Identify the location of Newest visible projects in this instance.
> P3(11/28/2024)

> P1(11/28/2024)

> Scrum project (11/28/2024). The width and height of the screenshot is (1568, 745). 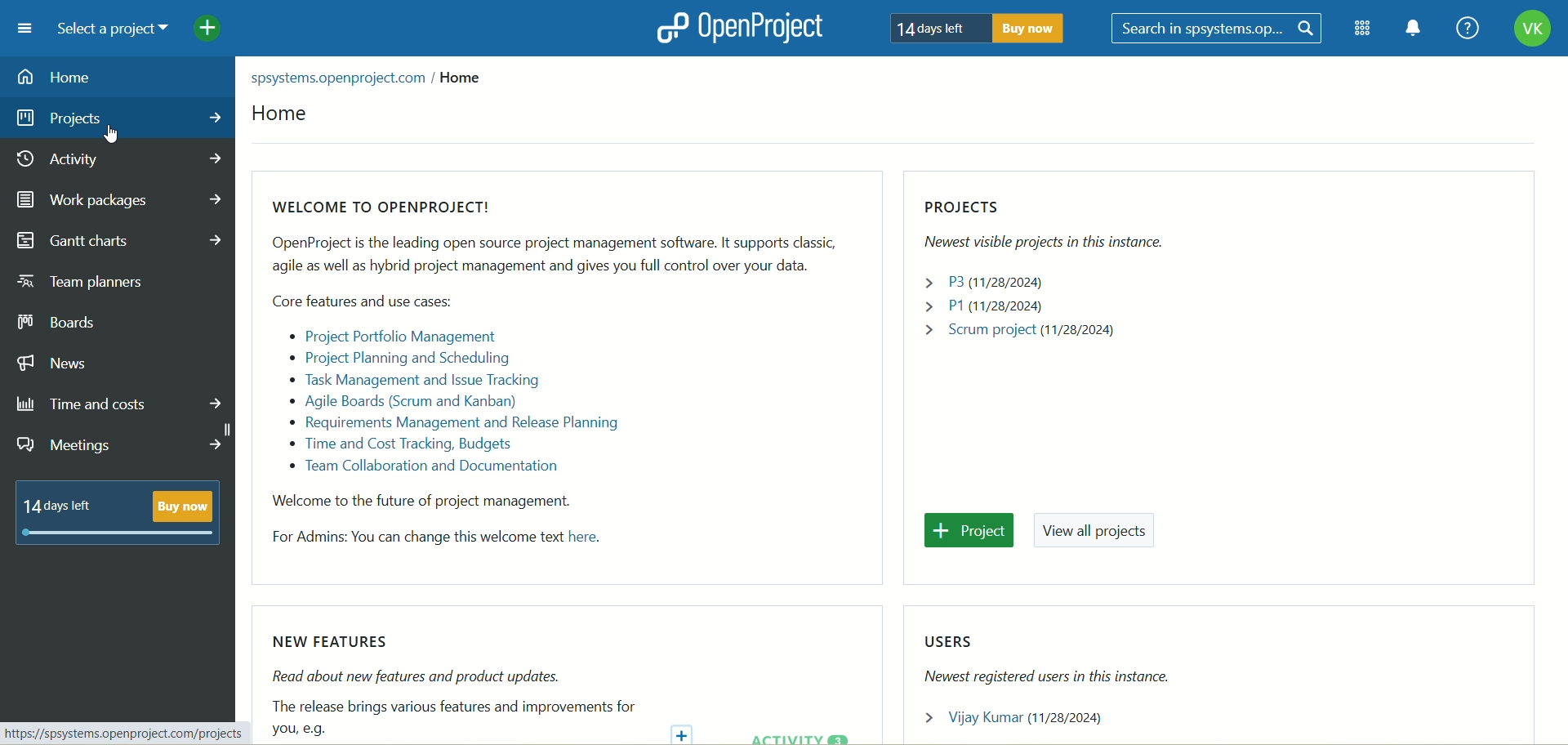
(1030, 294).